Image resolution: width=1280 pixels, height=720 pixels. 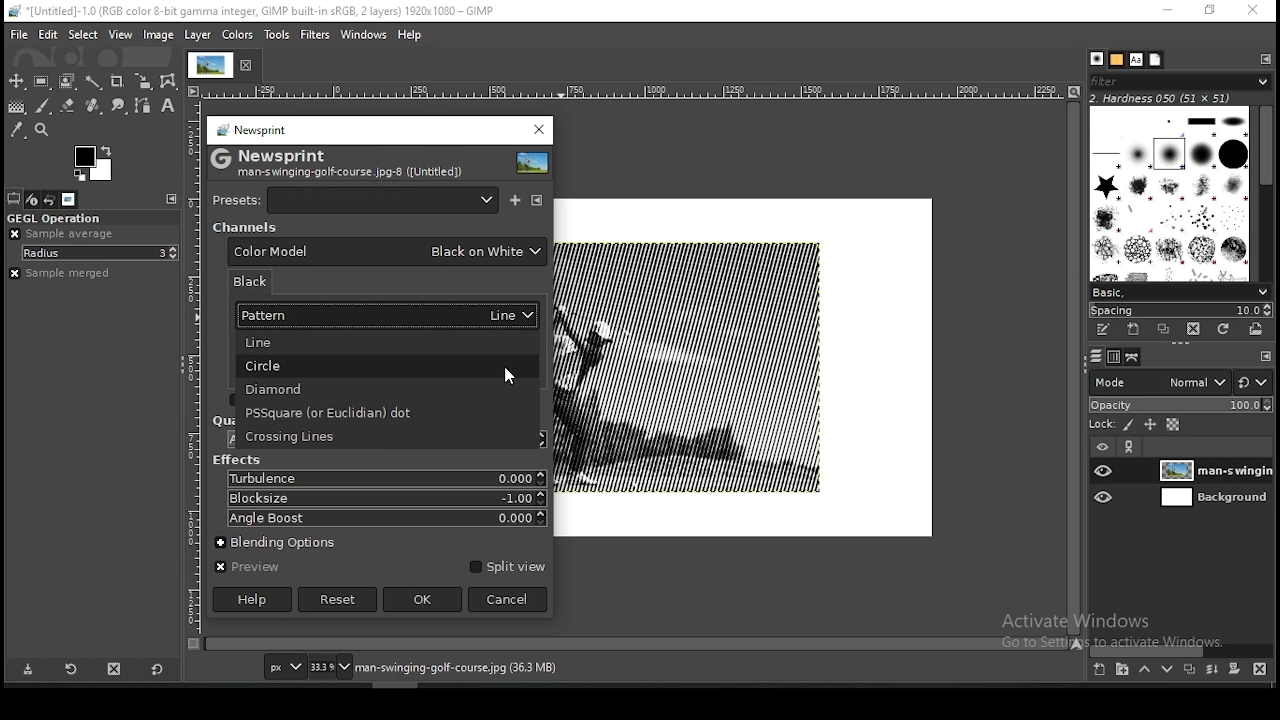 What do you see at coordinates (1261, 193) in the screenshot?
I see `scroll bar` at bounding box center [1261, 193].